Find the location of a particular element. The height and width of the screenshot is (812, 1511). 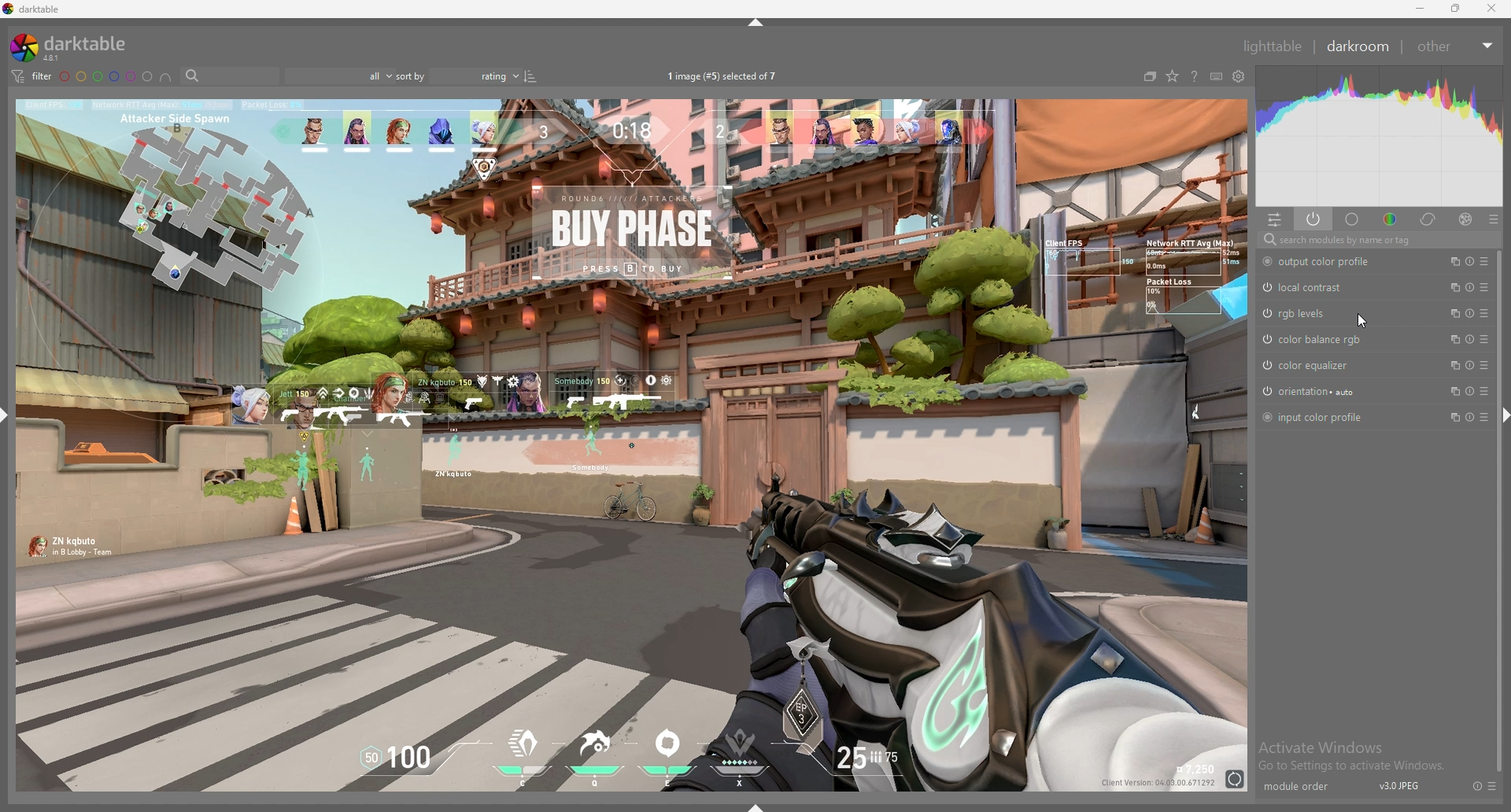

scroll bar is located at coordinates (1498, 507).